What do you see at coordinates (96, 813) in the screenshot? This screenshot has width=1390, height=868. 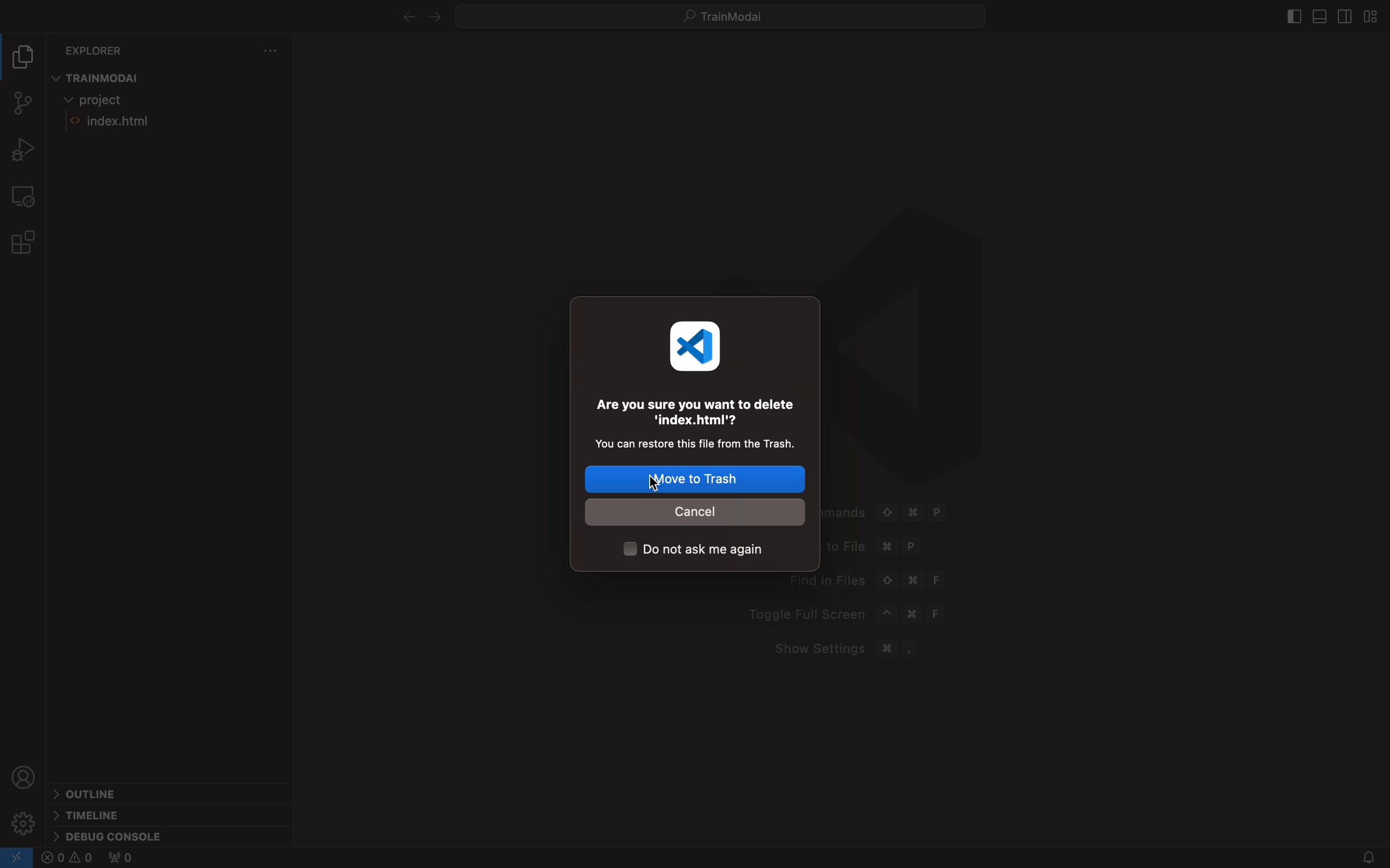 I see `timeline` at bounding box center [96, 813].